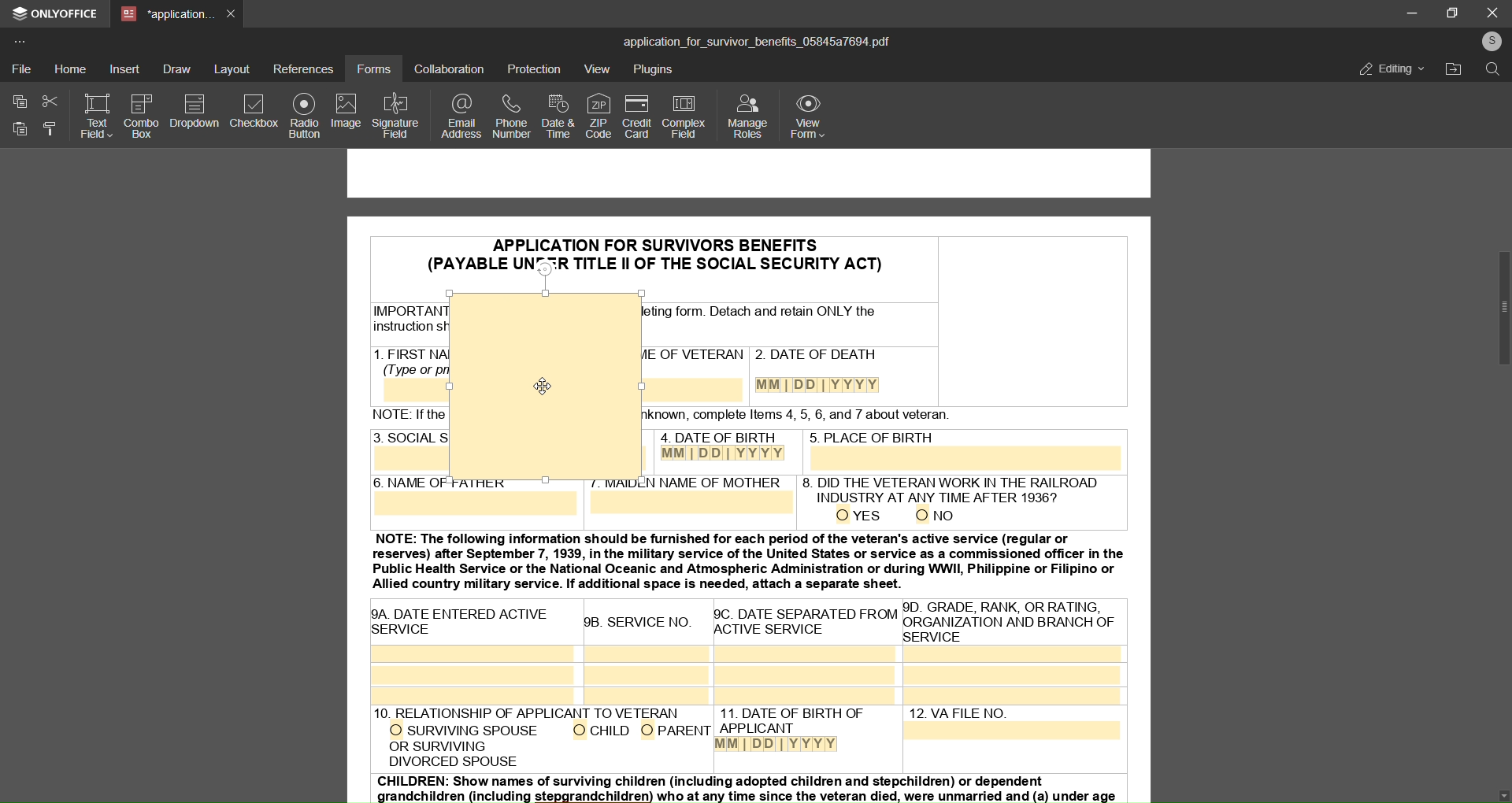 This screenshot has width=1512, height=803. What do you see at coordinates (399, 141) in the screenshot?
I see `insert image` at bounding box center [399, 141].